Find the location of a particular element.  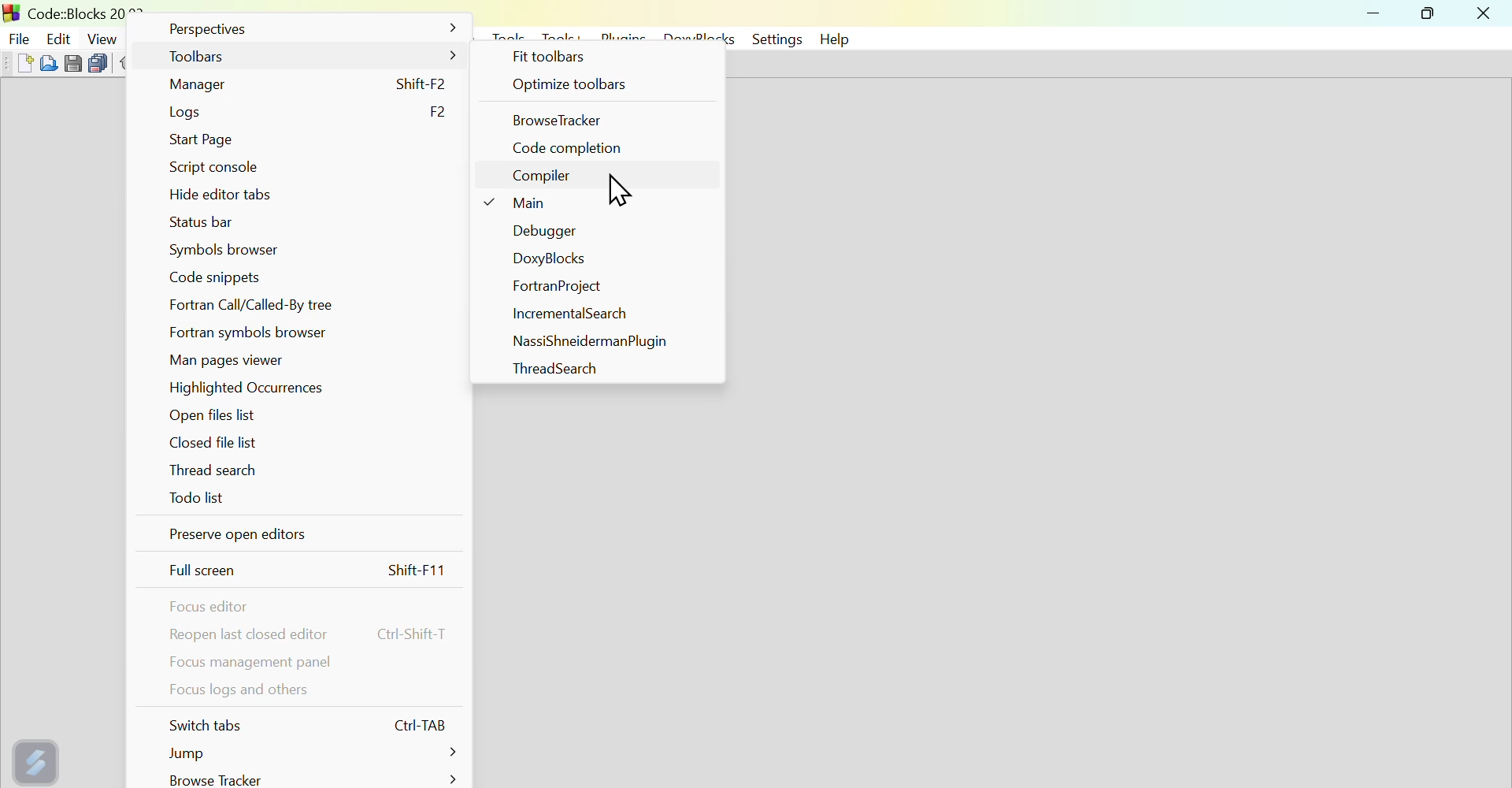

Toolbars is located at coordinates (310, 58).